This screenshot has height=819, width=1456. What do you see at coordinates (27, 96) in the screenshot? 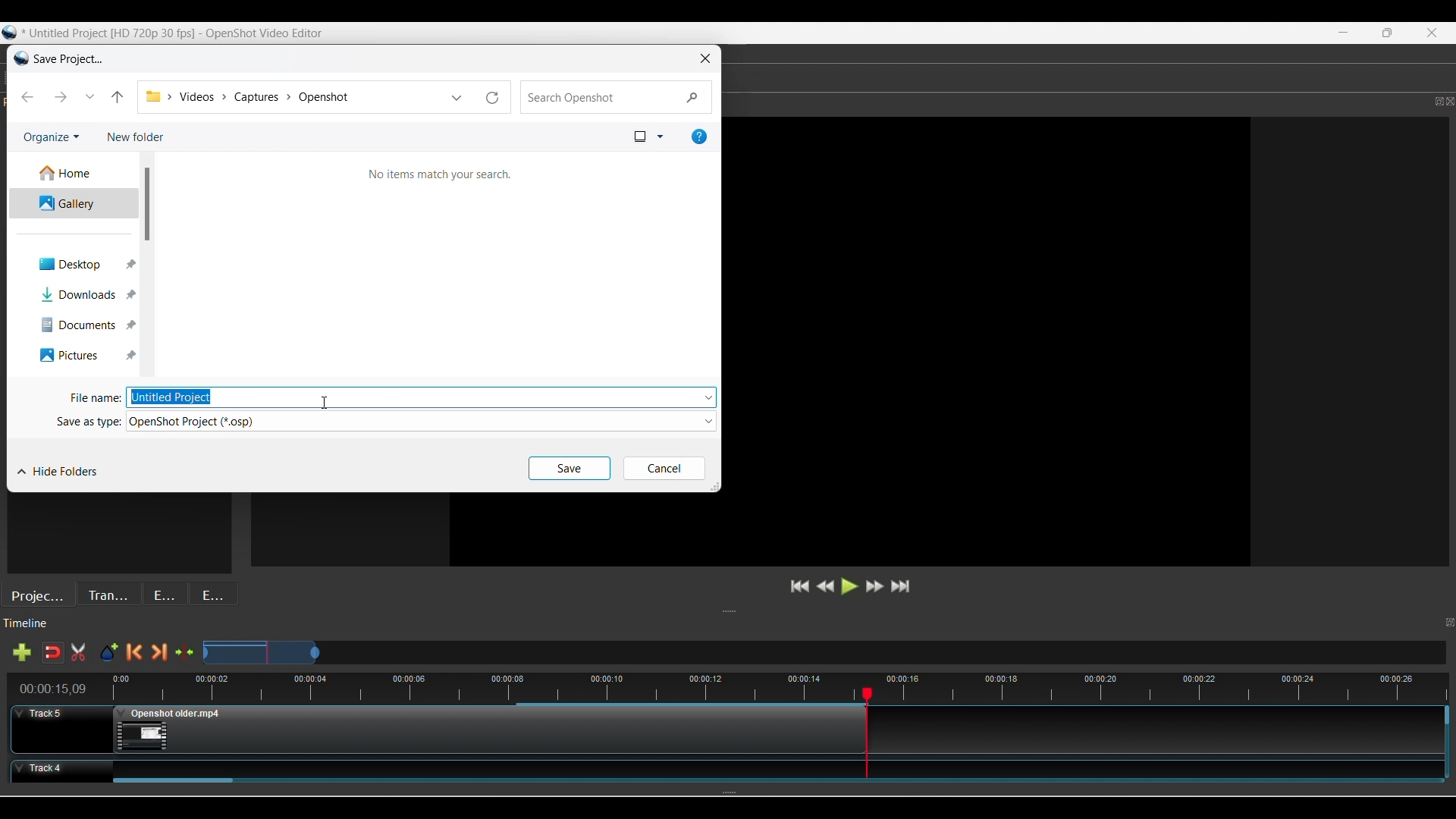
I see `Backward` at bounding box center [27, 96].